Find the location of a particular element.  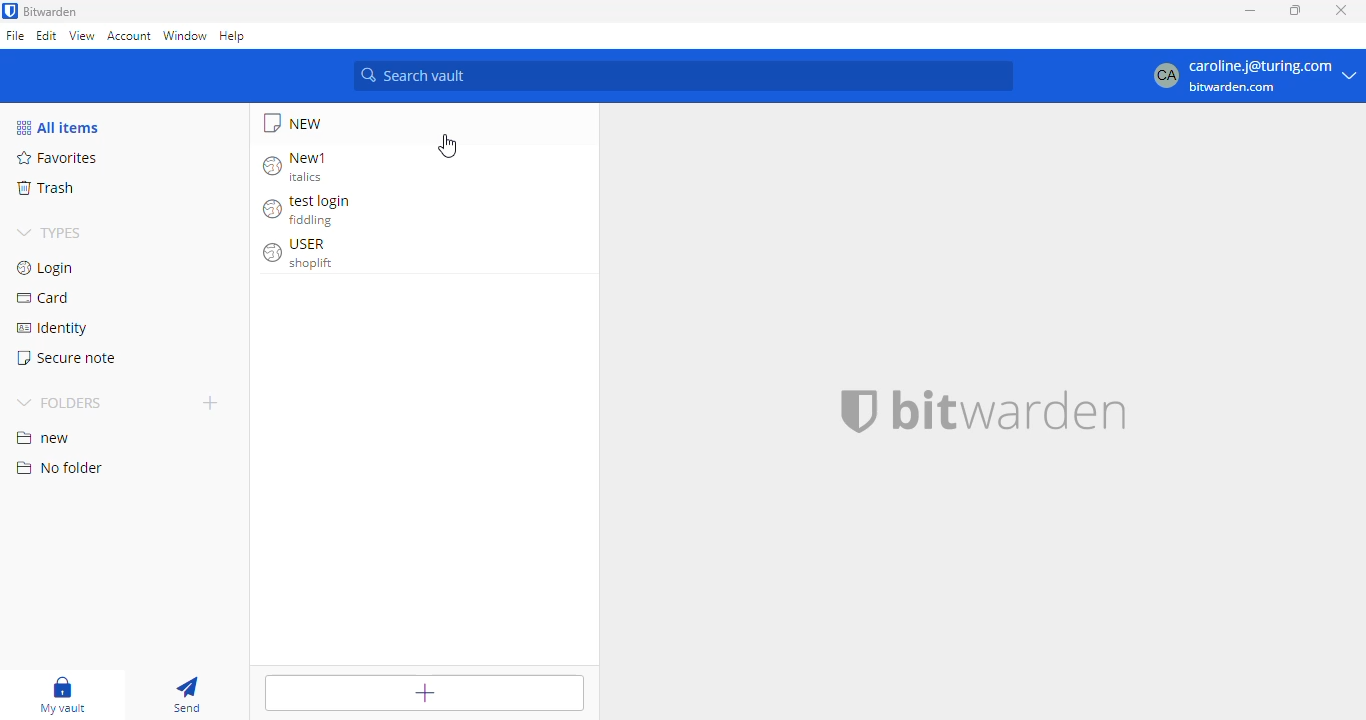

help is located at coordinates (232, 36).